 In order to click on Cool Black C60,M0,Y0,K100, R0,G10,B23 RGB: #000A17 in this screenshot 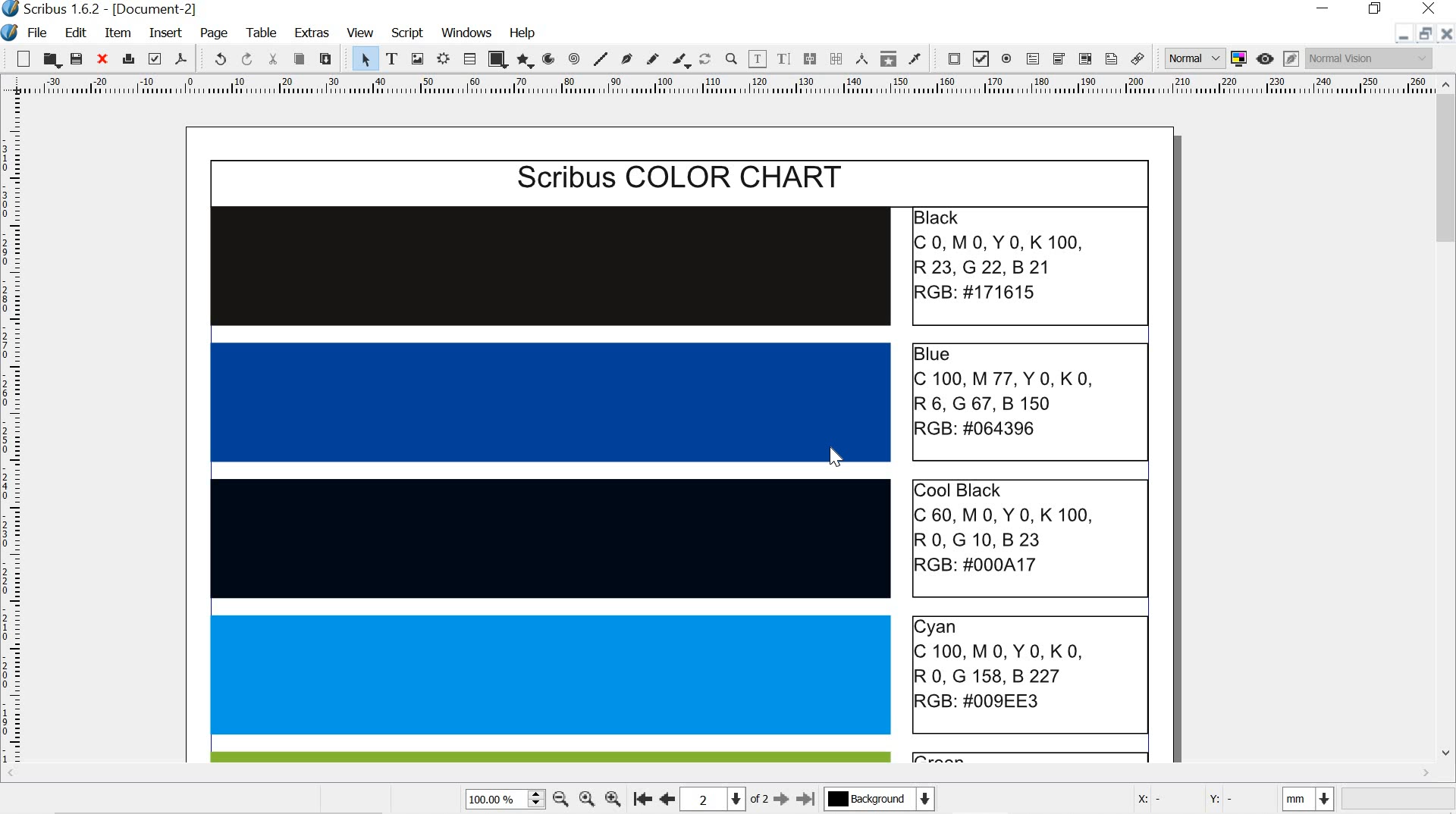, I will do `click(1031, 534)`.